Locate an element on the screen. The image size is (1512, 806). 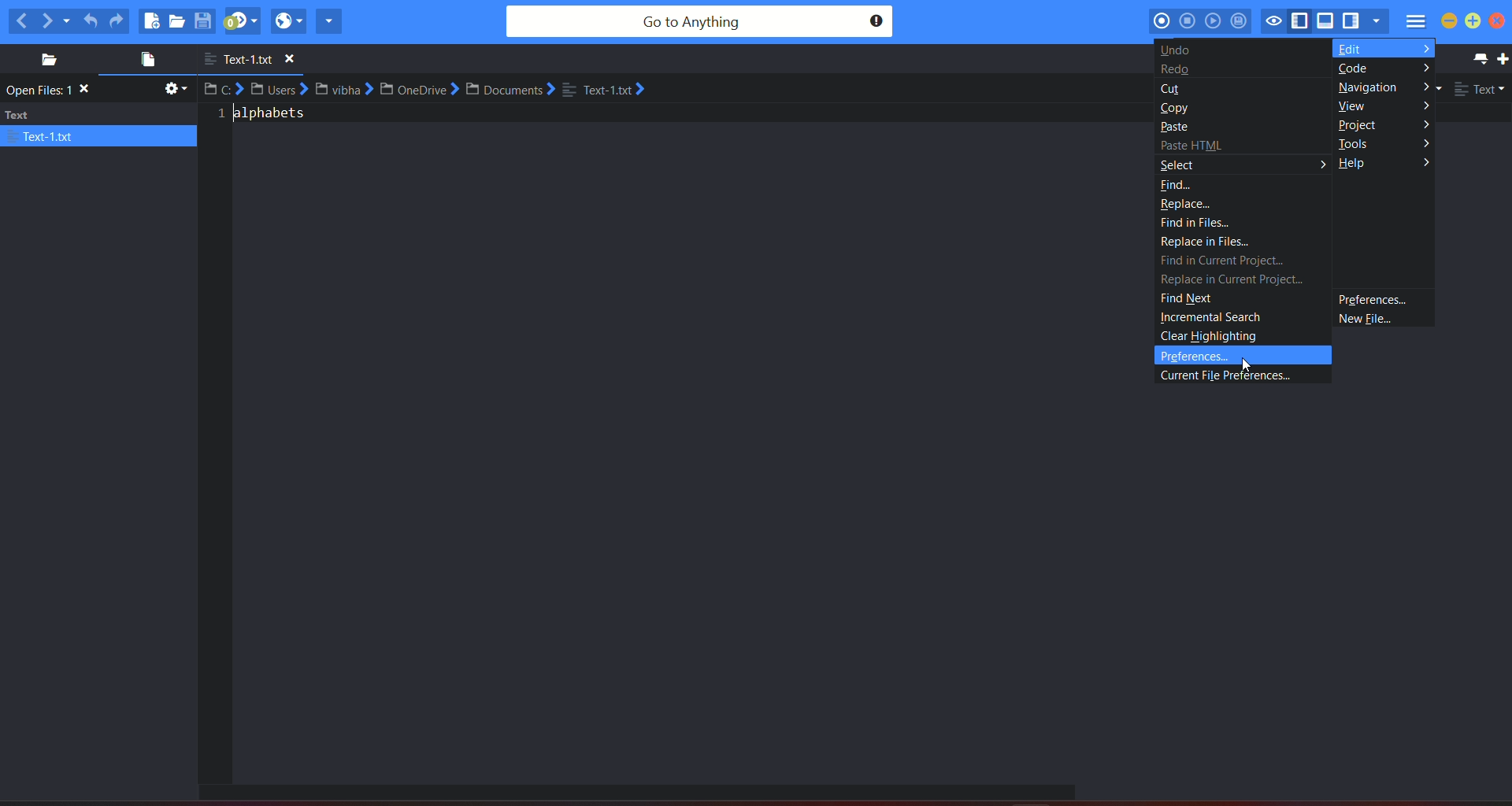
close is located at coordinates (1502, 22).